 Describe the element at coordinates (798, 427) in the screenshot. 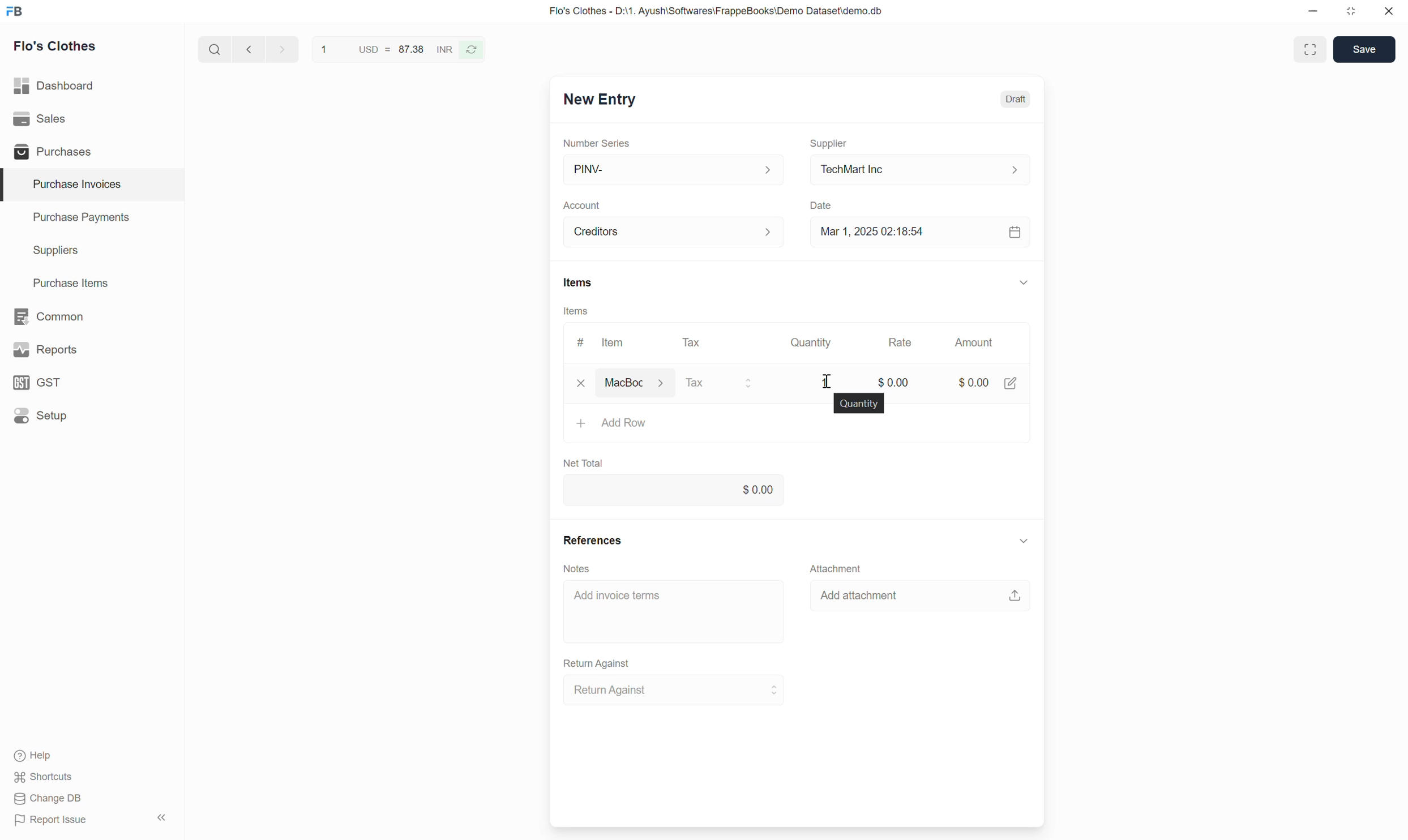

I see `Add Row` at that location.